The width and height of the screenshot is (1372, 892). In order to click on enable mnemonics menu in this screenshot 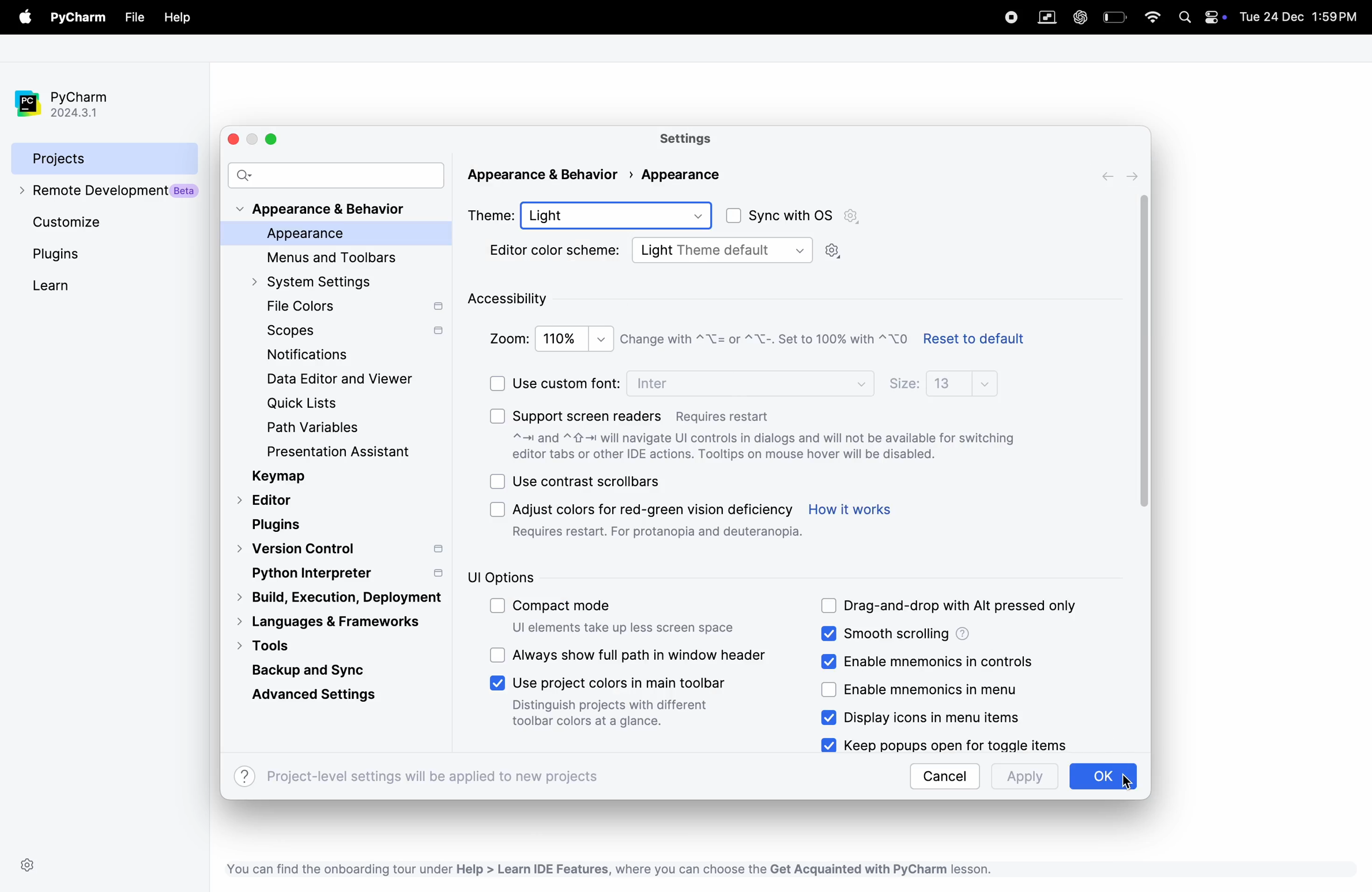, I will do `click(944, 688)`.